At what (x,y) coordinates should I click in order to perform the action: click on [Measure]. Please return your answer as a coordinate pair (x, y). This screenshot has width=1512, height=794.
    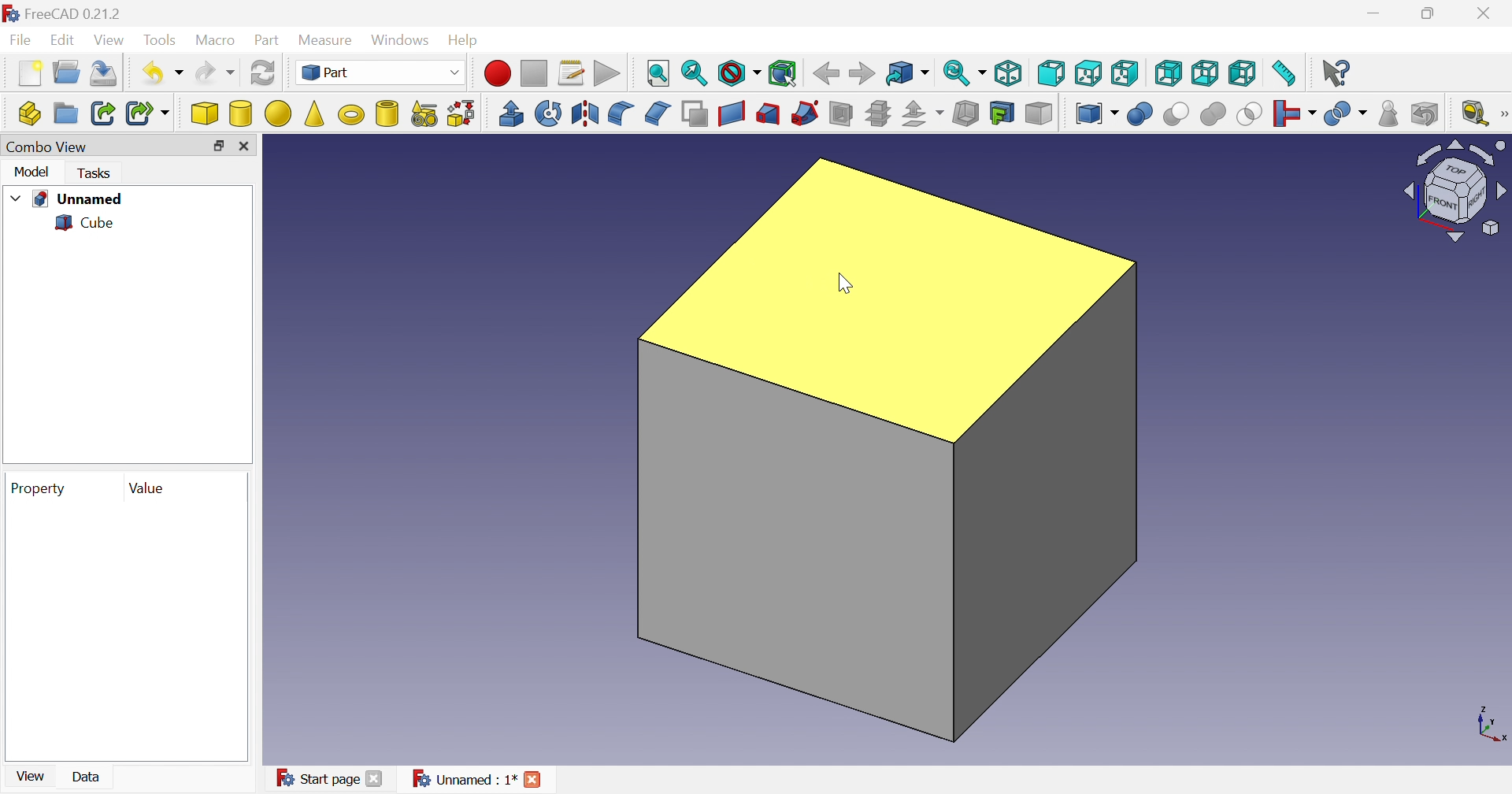
    Looking at the image, I should click on (1503, 113).